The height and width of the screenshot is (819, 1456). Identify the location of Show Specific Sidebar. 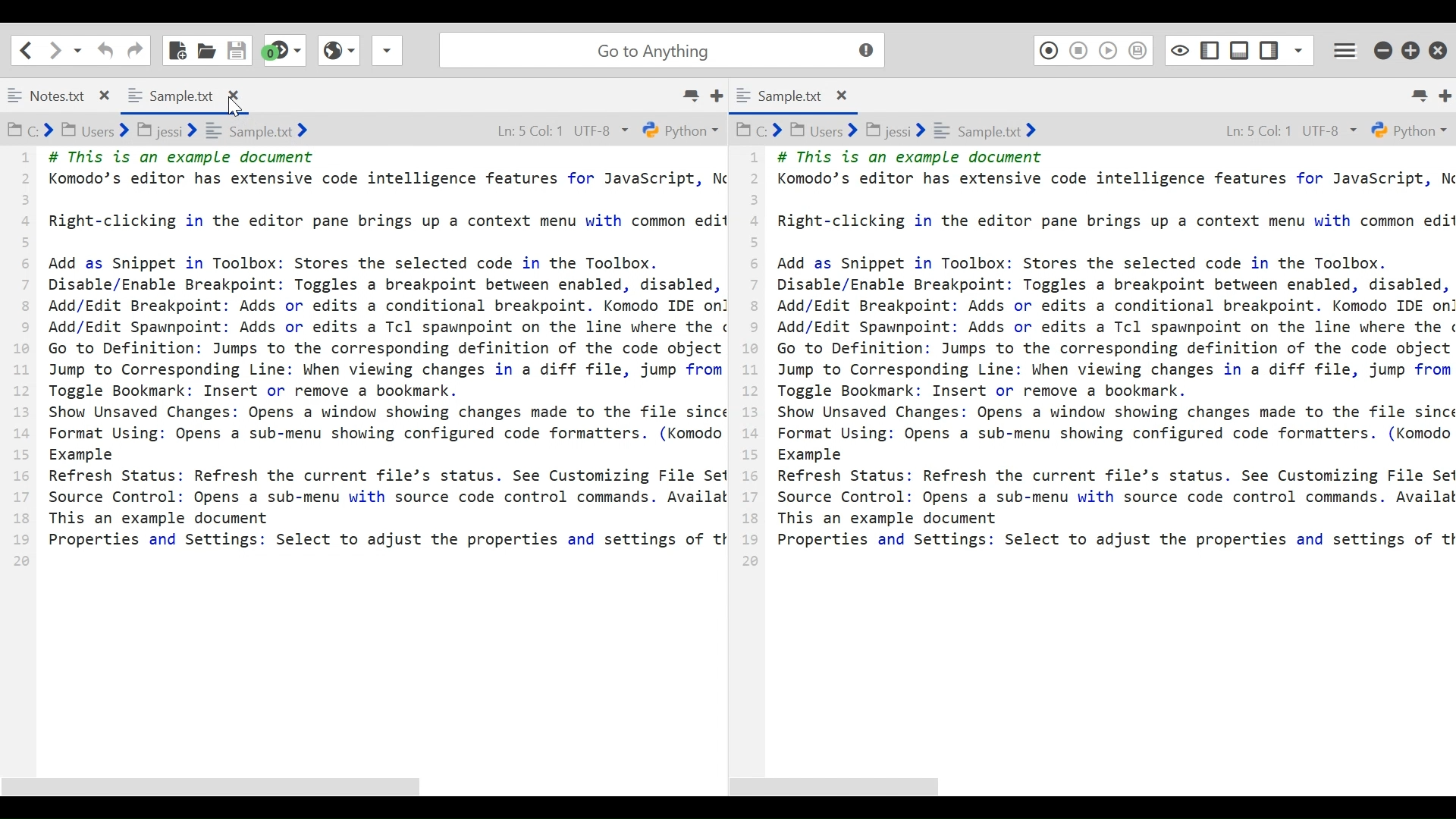
(1299, 49).